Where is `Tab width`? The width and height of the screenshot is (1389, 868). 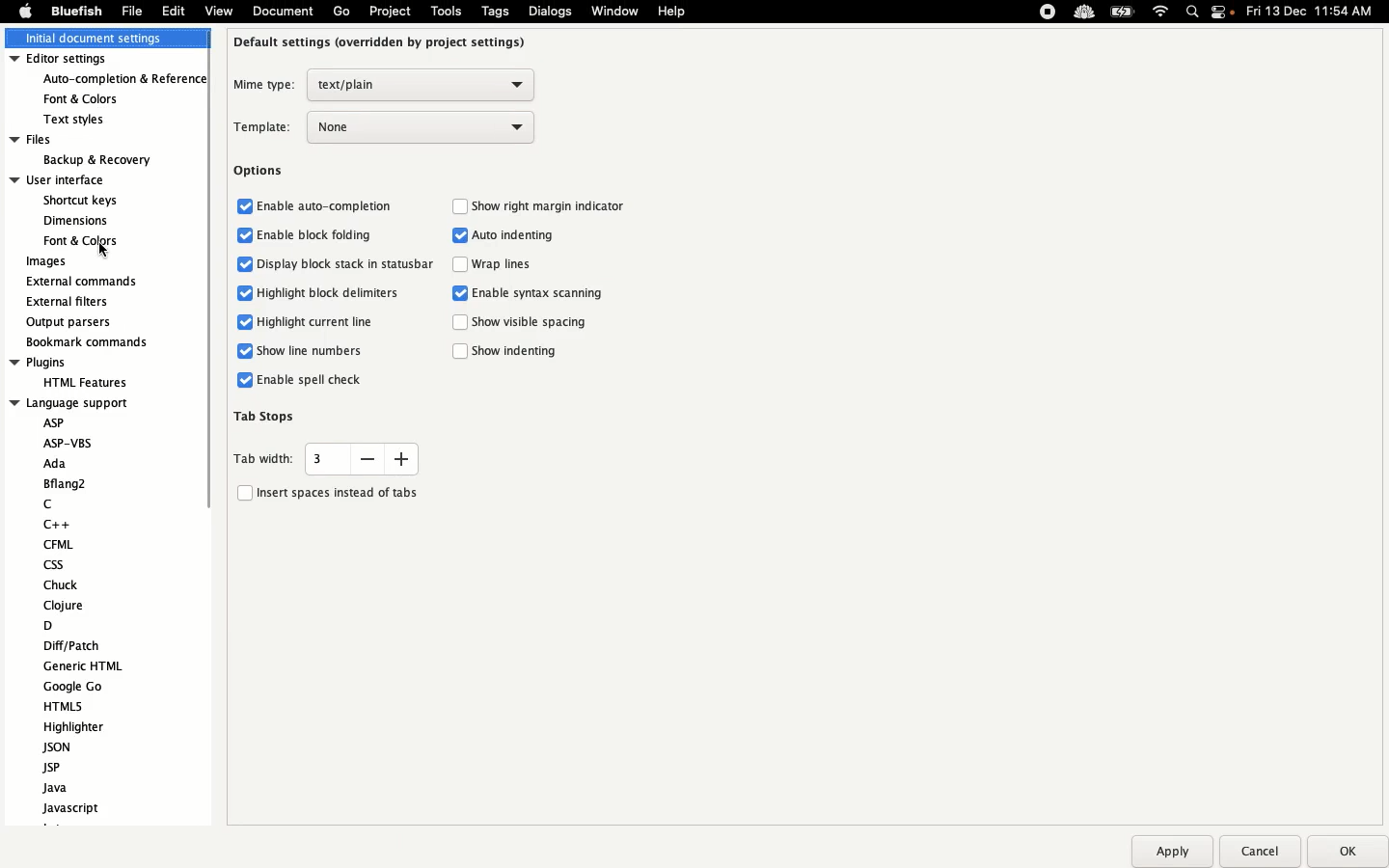 Tab width is located at coordinates (325, 458).